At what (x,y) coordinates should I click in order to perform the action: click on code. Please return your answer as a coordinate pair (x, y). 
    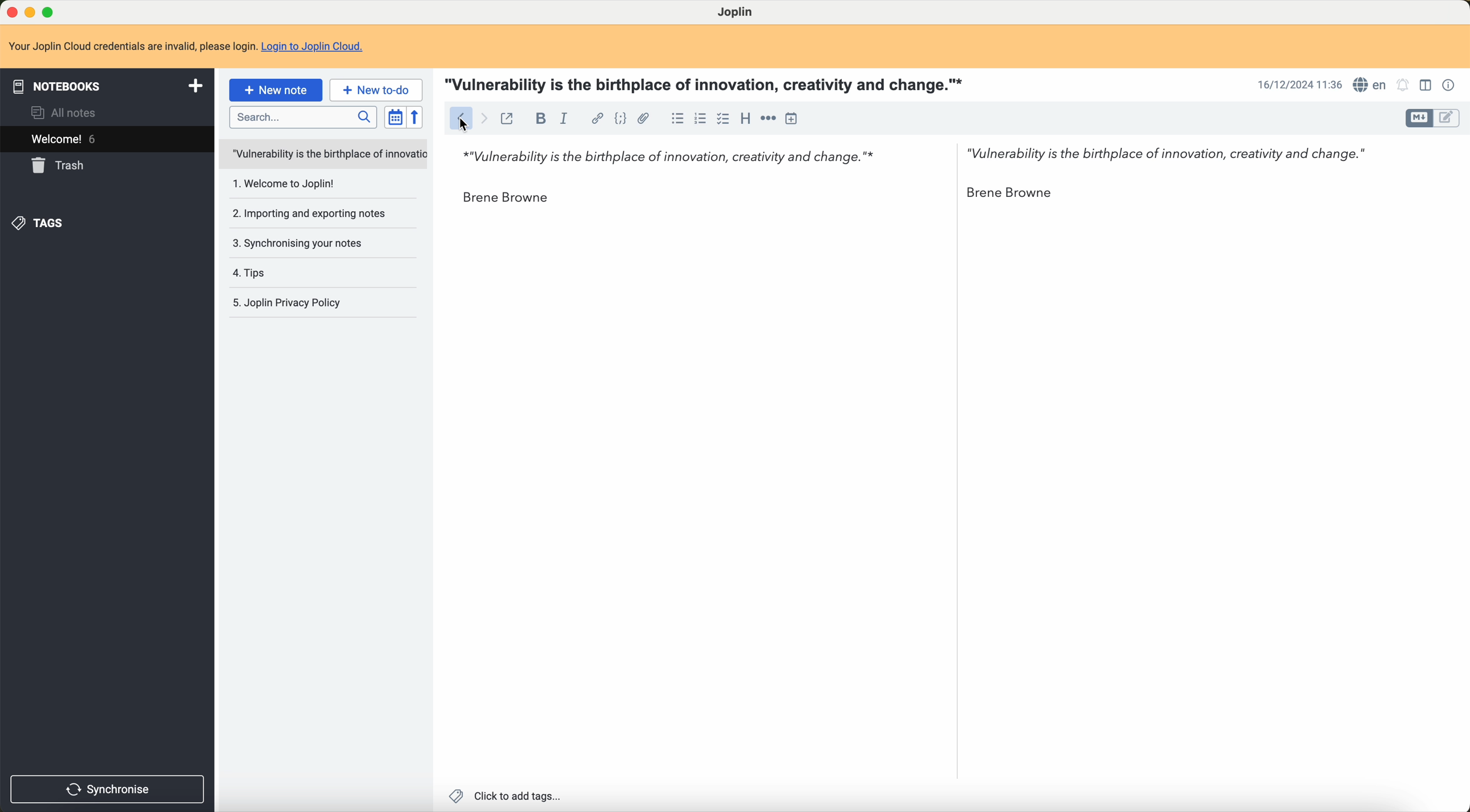
    Looking at the image, I should click on (619, 118).